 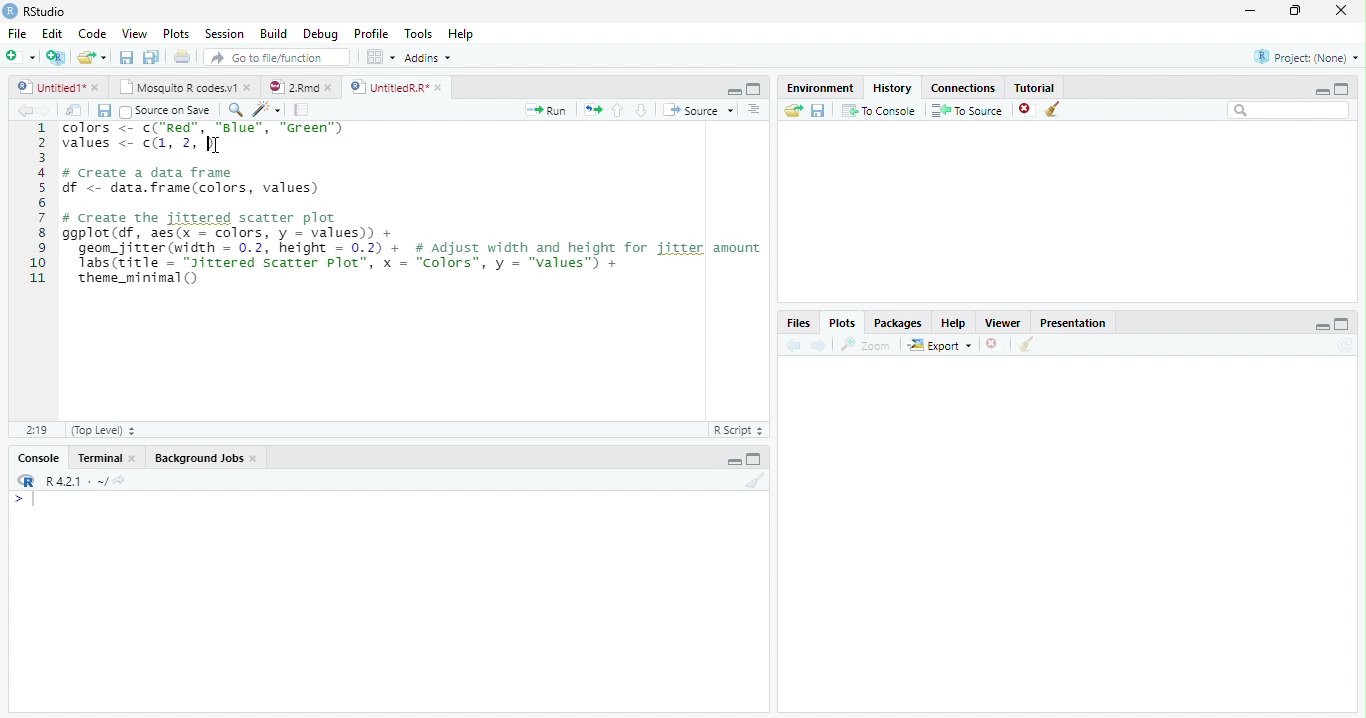 I want to click on To Source, so click(x=968, y=110).